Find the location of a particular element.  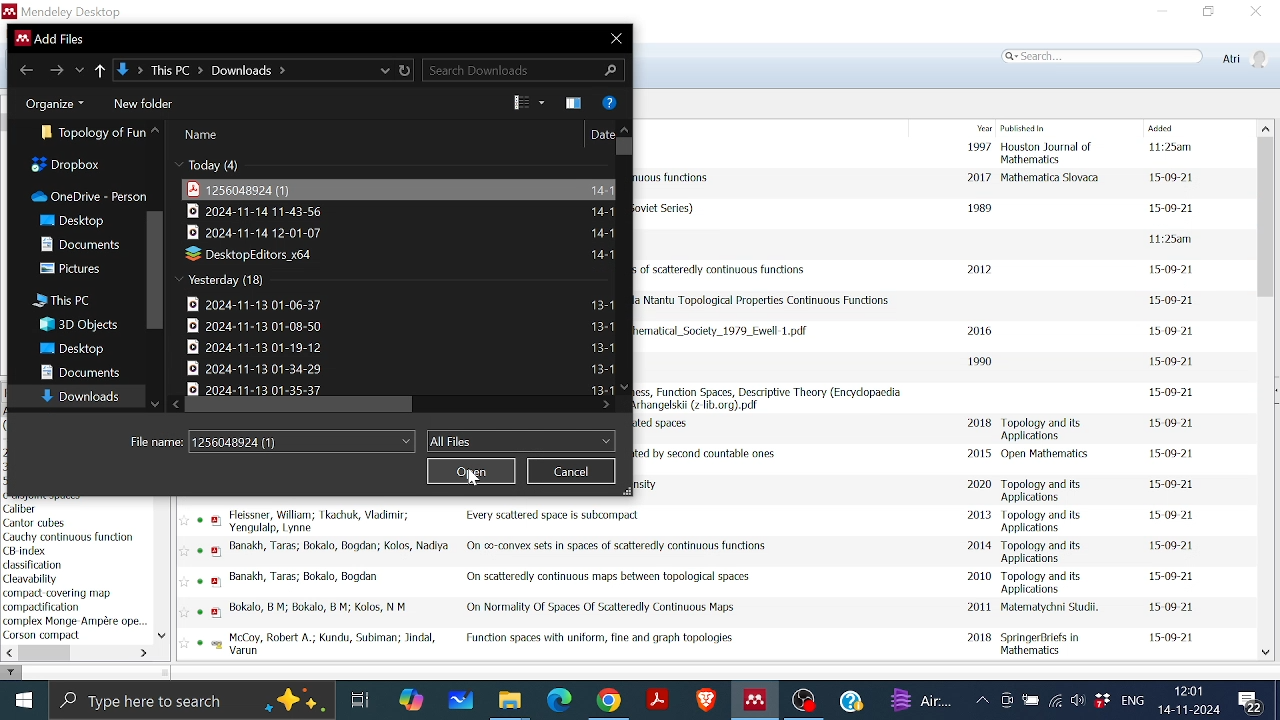

Pictures is located at coordinates (68, 269).